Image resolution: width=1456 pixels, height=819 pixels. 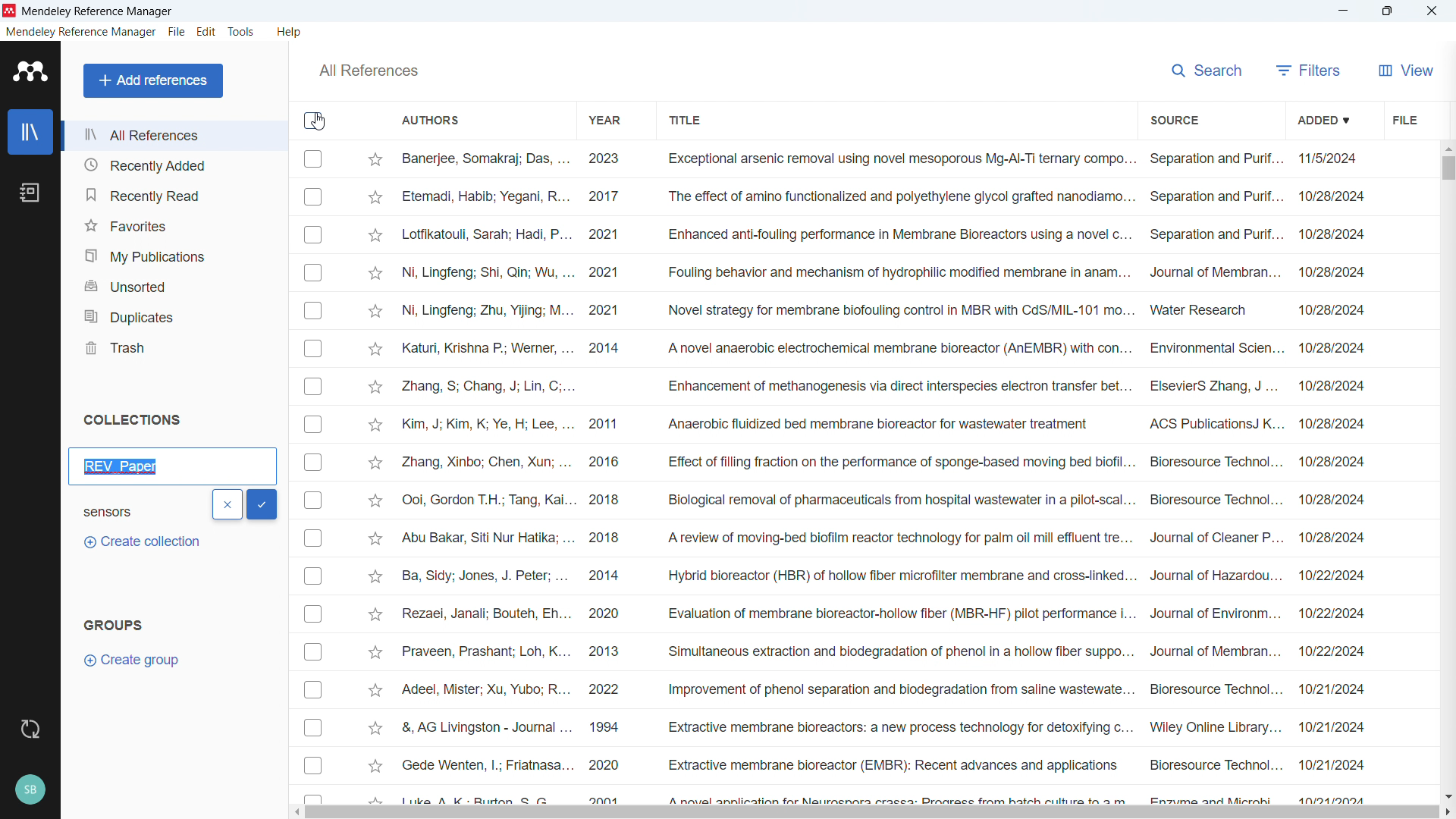 I want to click on All references , so click(x=368, y=71).